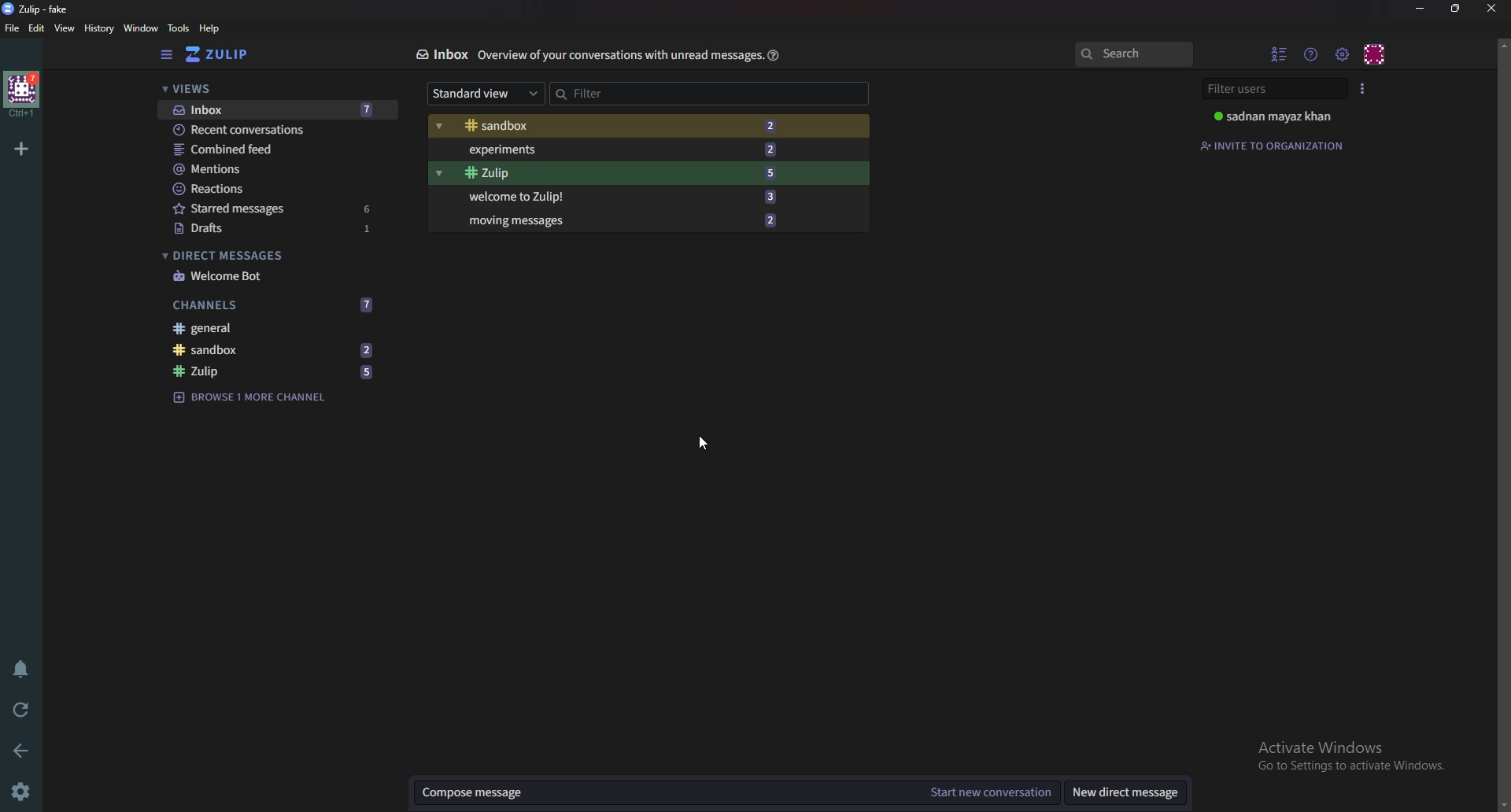 This screenshot has width=1511, height=812. I want to click on Experiments 2, so click(619, 149).